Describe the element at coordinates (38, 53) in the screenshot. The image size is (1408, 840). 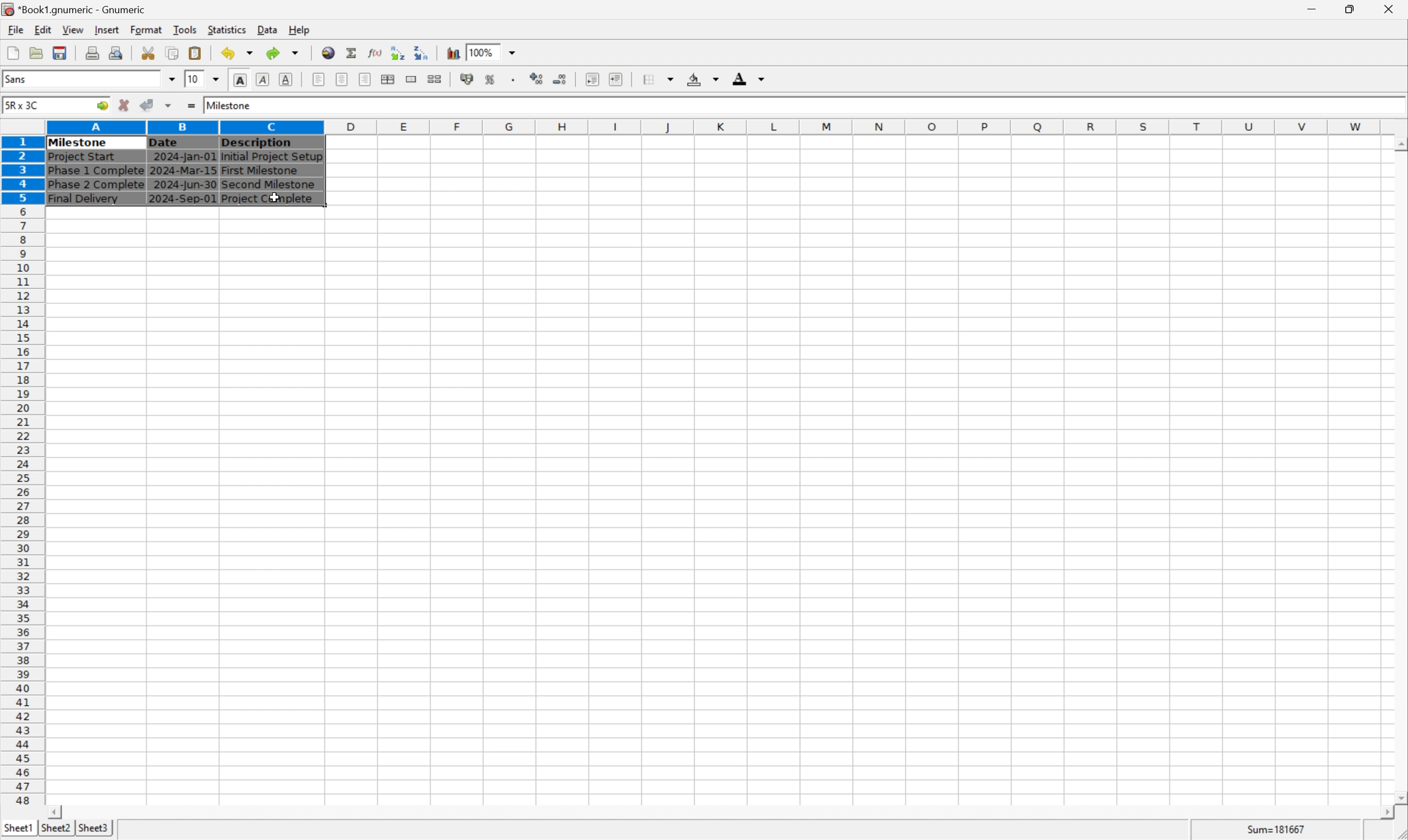
I see `open a file` at that location.